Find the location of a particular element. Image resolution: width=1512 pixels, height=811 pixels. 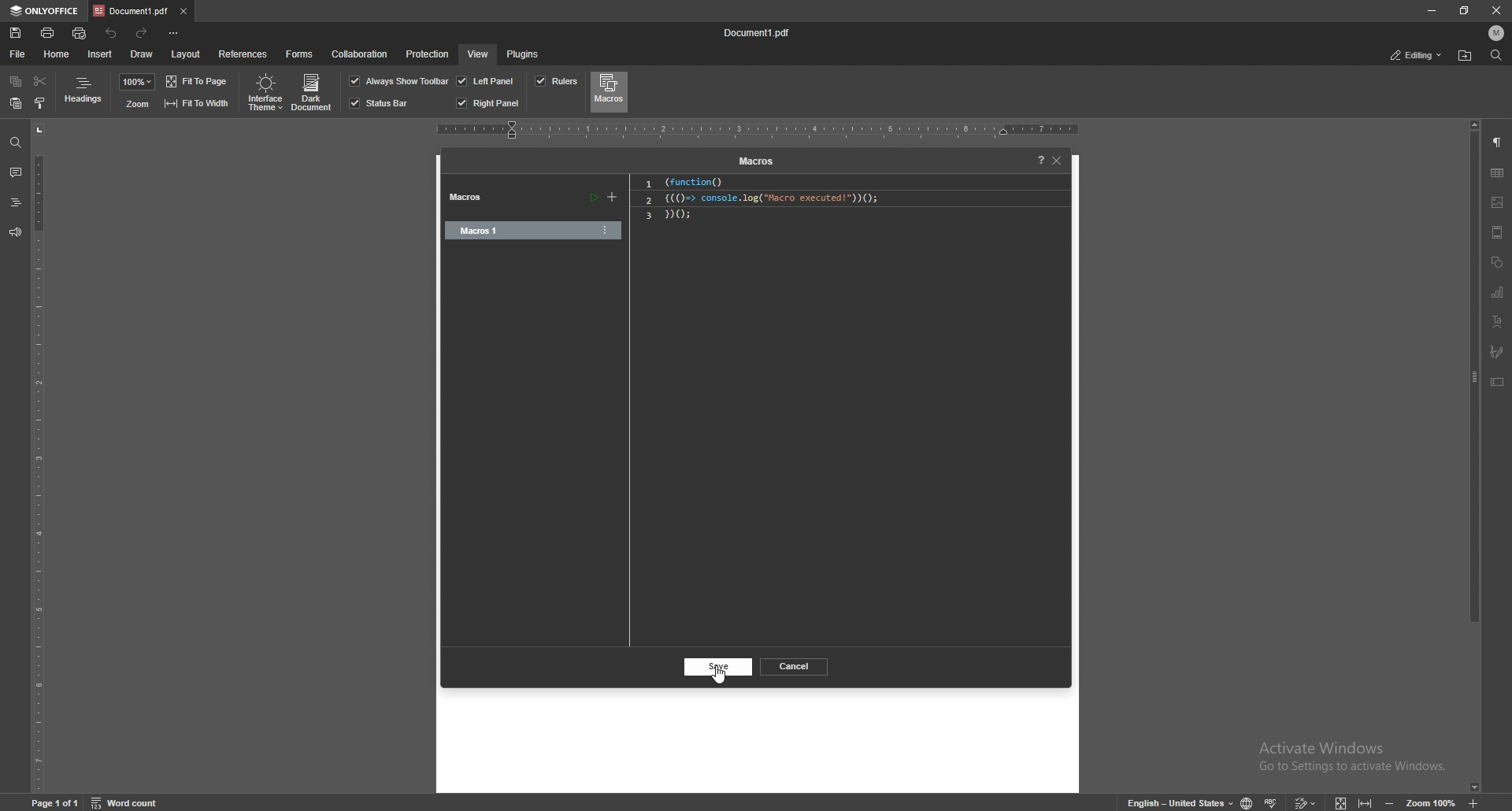

macro is located at coordinates (514, 231).